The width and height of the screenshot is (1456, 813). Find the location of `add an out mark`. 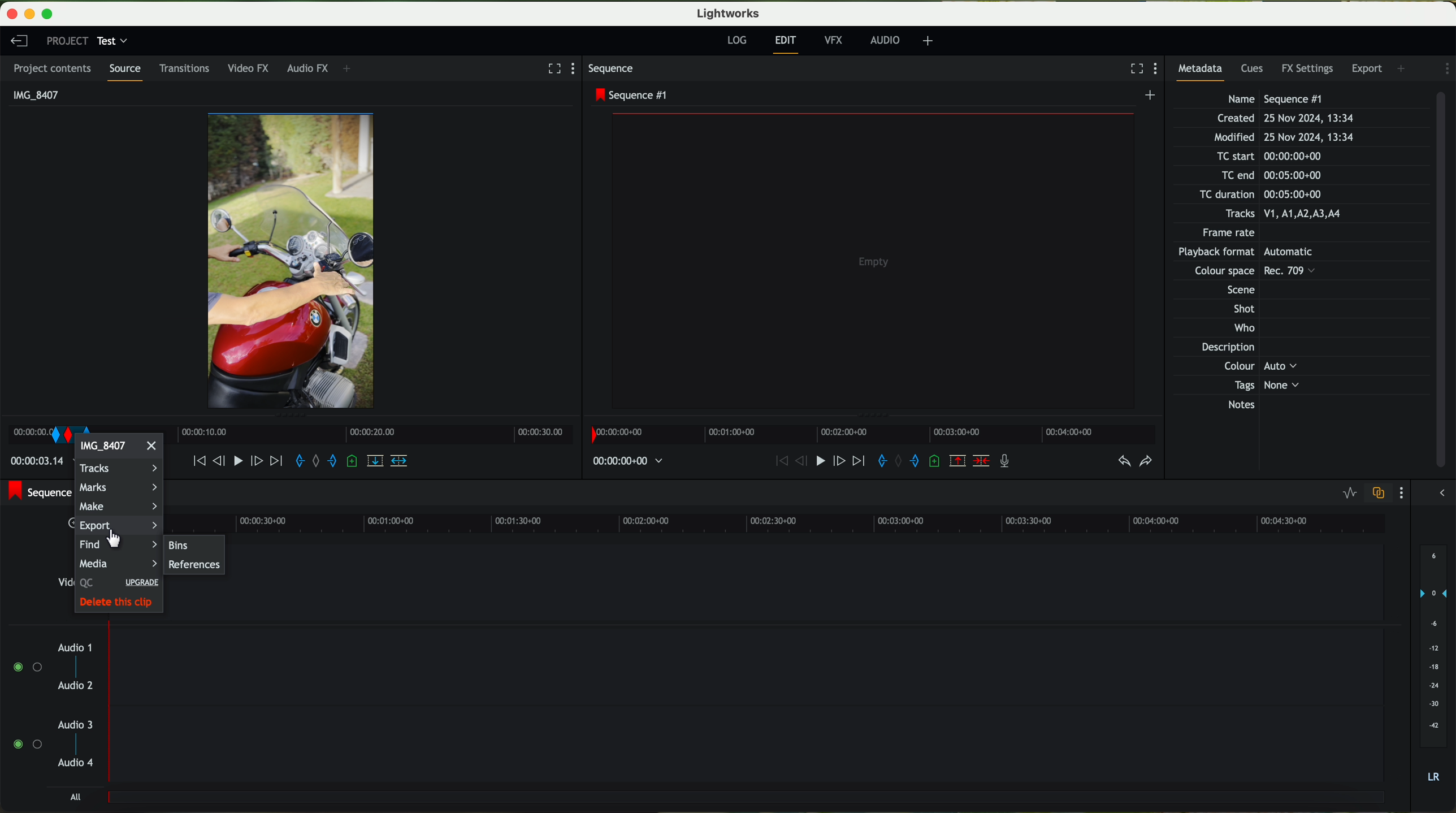

add an out mark is located at coordinates (909, 461).